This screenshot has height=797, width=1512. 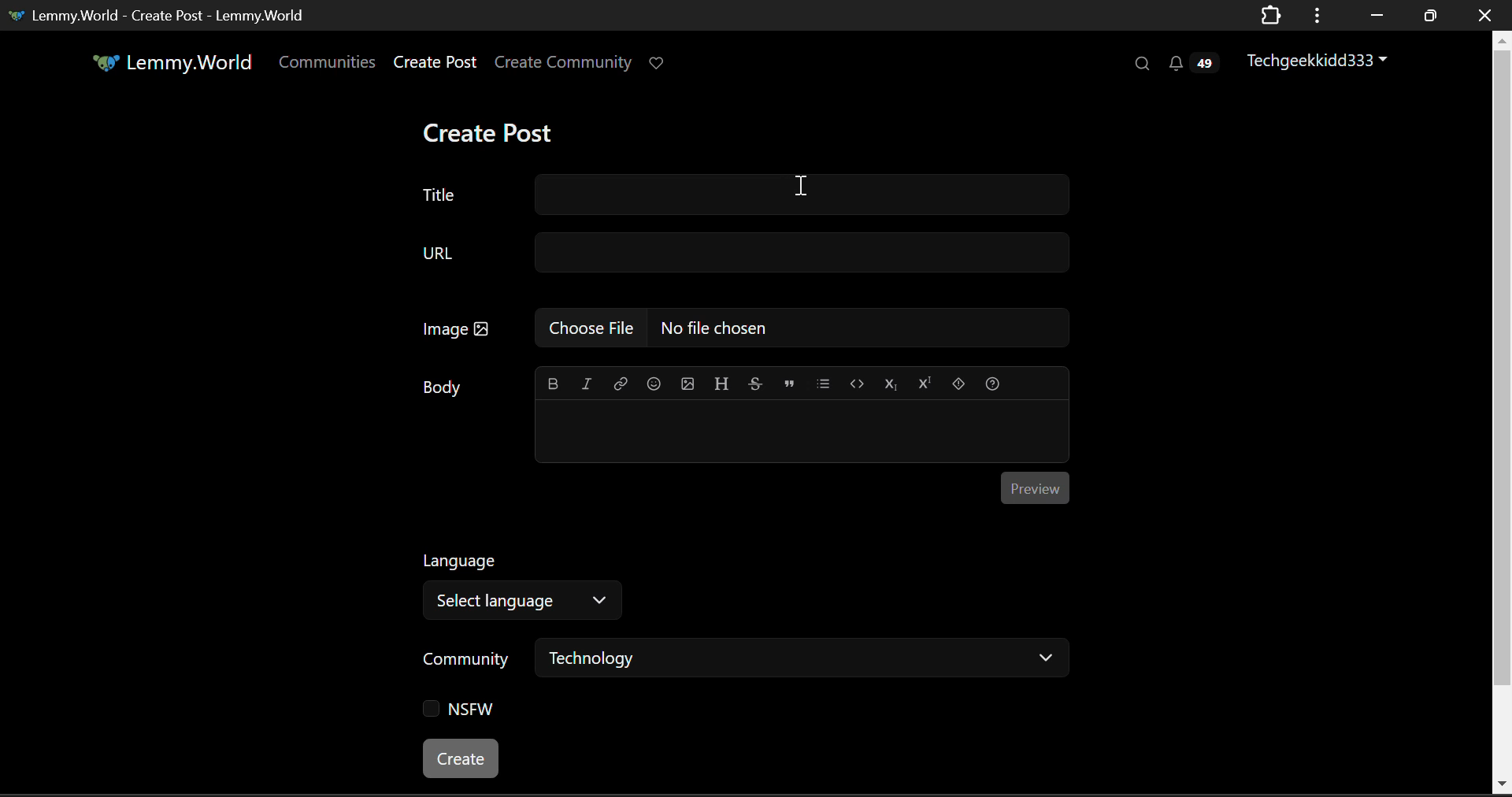 What do you see at coordinates (1318, 58) in the screenshot?
I see `Techgeekkidd333` at bounding box center [1318, 58].